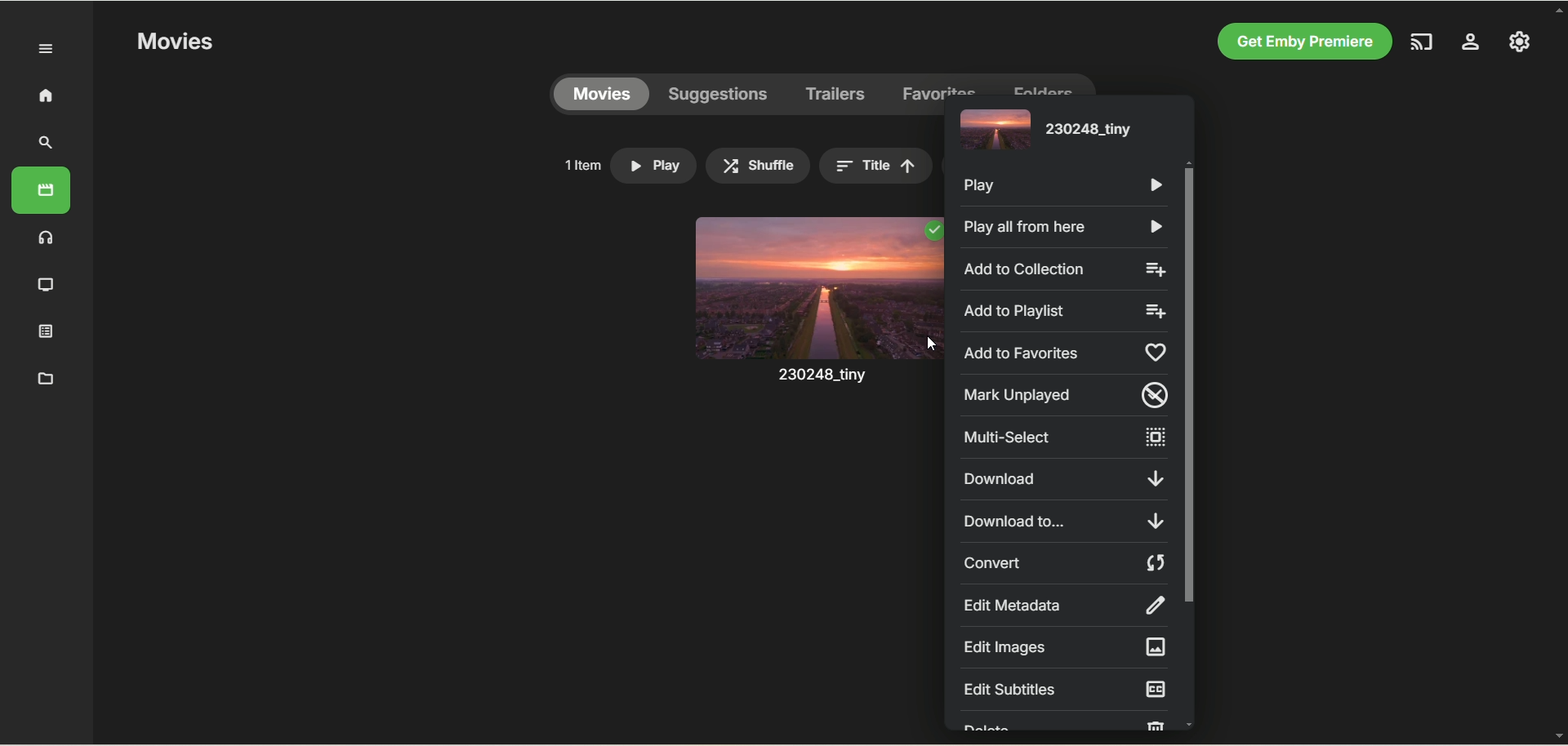 This screenshot has width=1568, height=746. Describe the element at coordinates (1471, 44) in the screenshot. I see `server` at that location.